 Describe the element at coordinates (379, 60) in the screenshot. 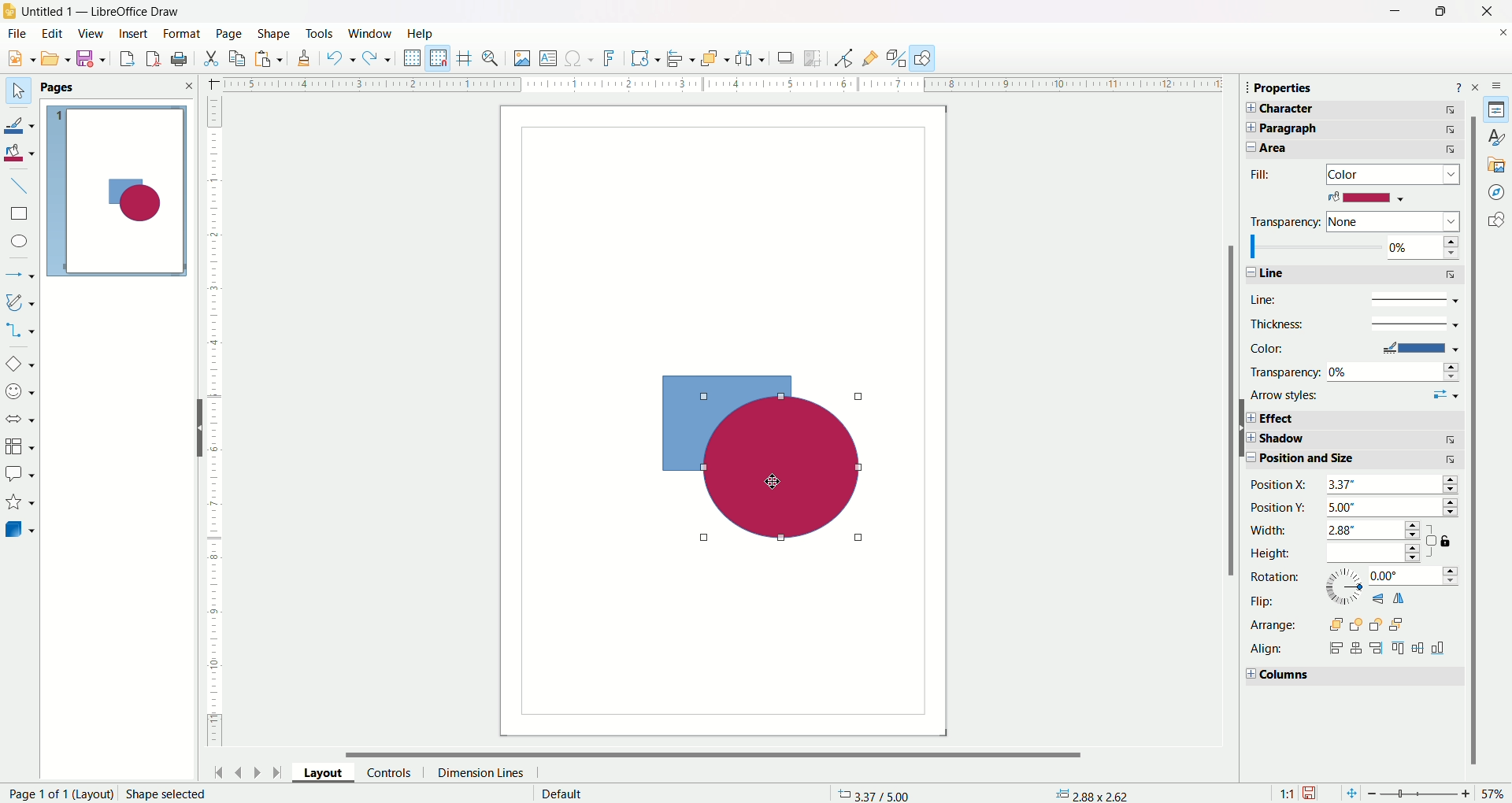

I see `redo` at that location.